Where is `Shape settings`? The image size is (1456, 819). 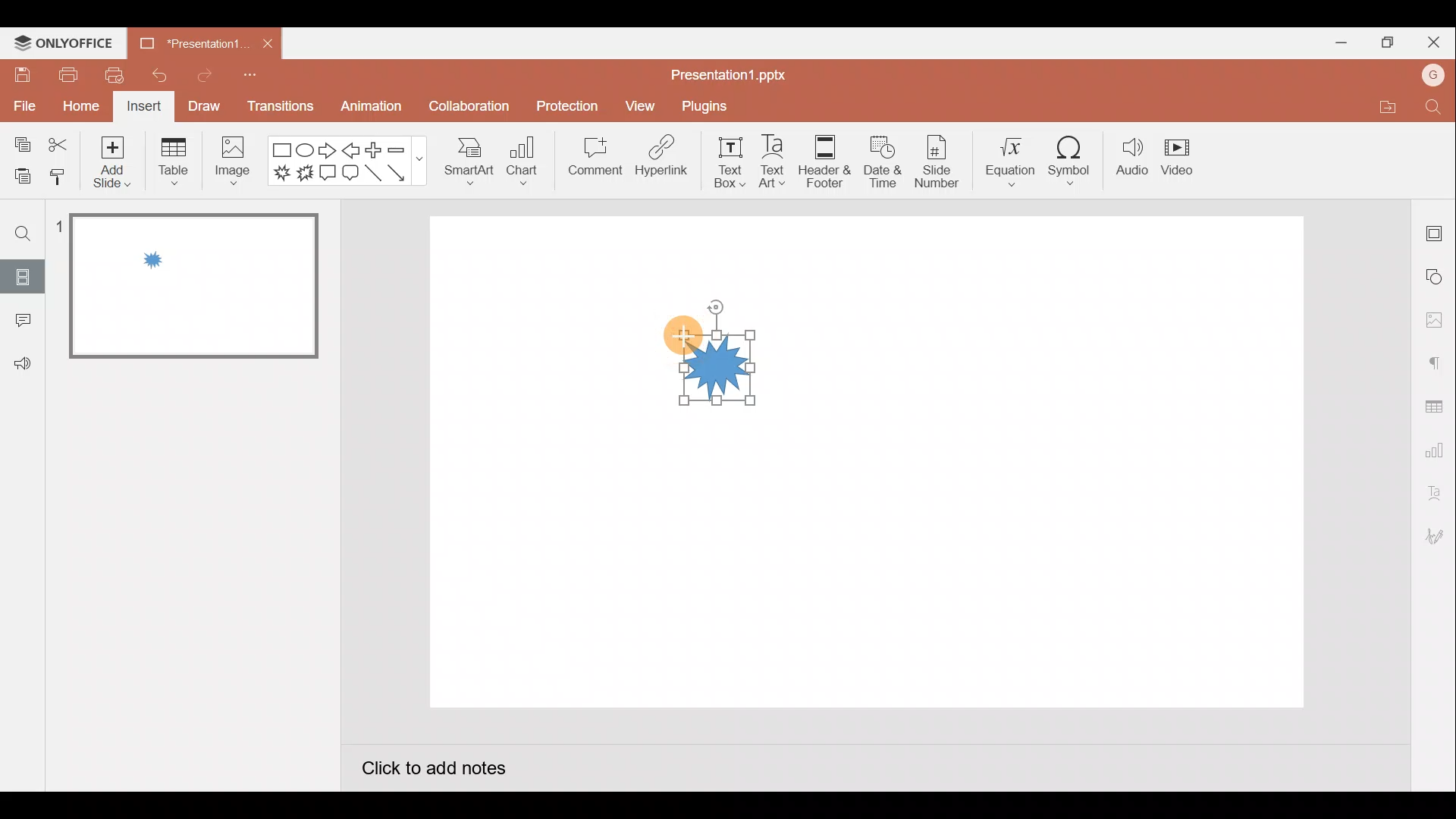
Shape settings is located at coordinates (1437, 275).